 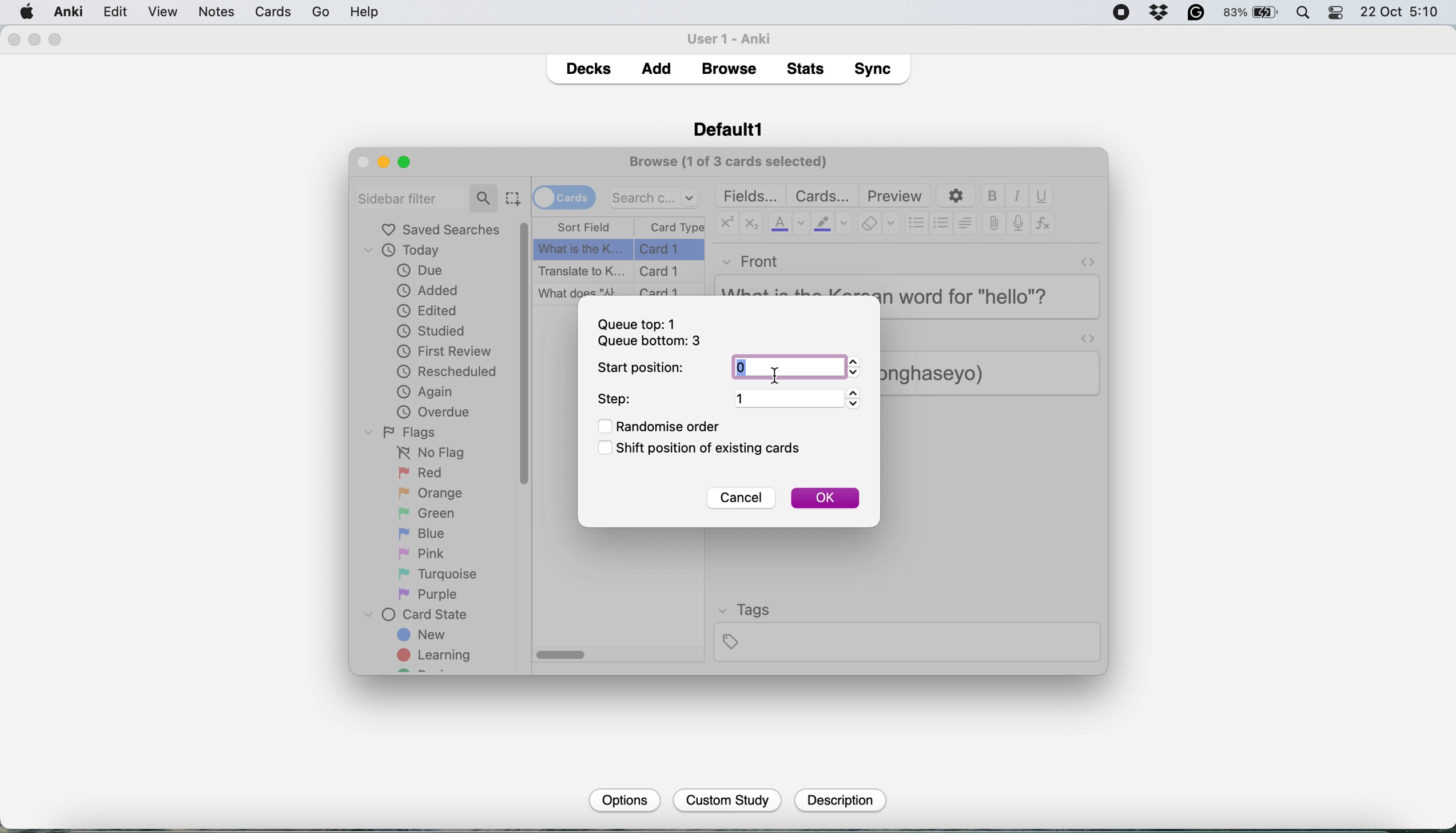 I want to click on text color, so click(x=787, y=223).